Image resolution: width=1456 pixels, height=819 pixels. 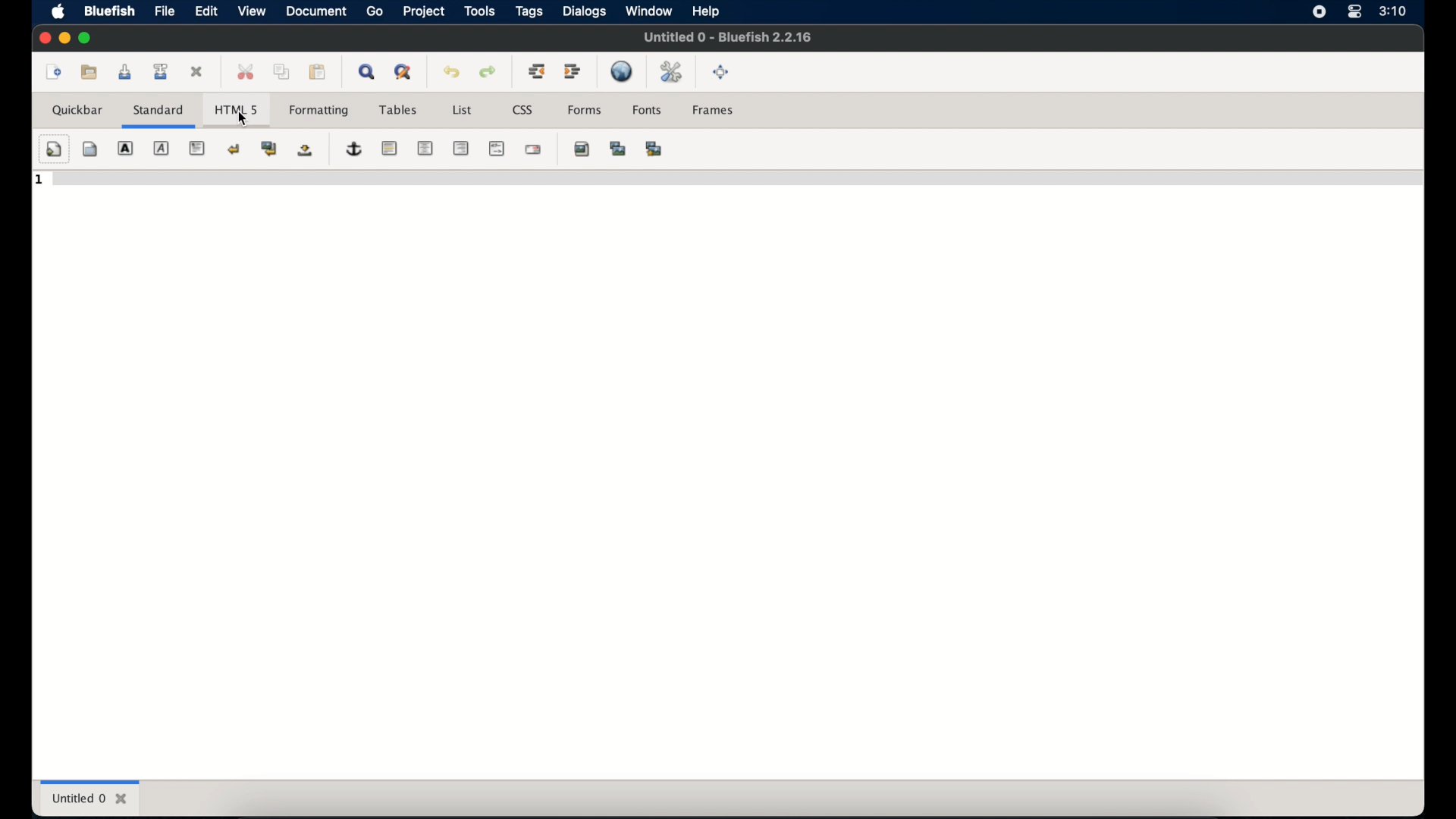 What do you see at coordinates (462, 110) in the screenshot?
I see `list` at bounding box center [462, 110].